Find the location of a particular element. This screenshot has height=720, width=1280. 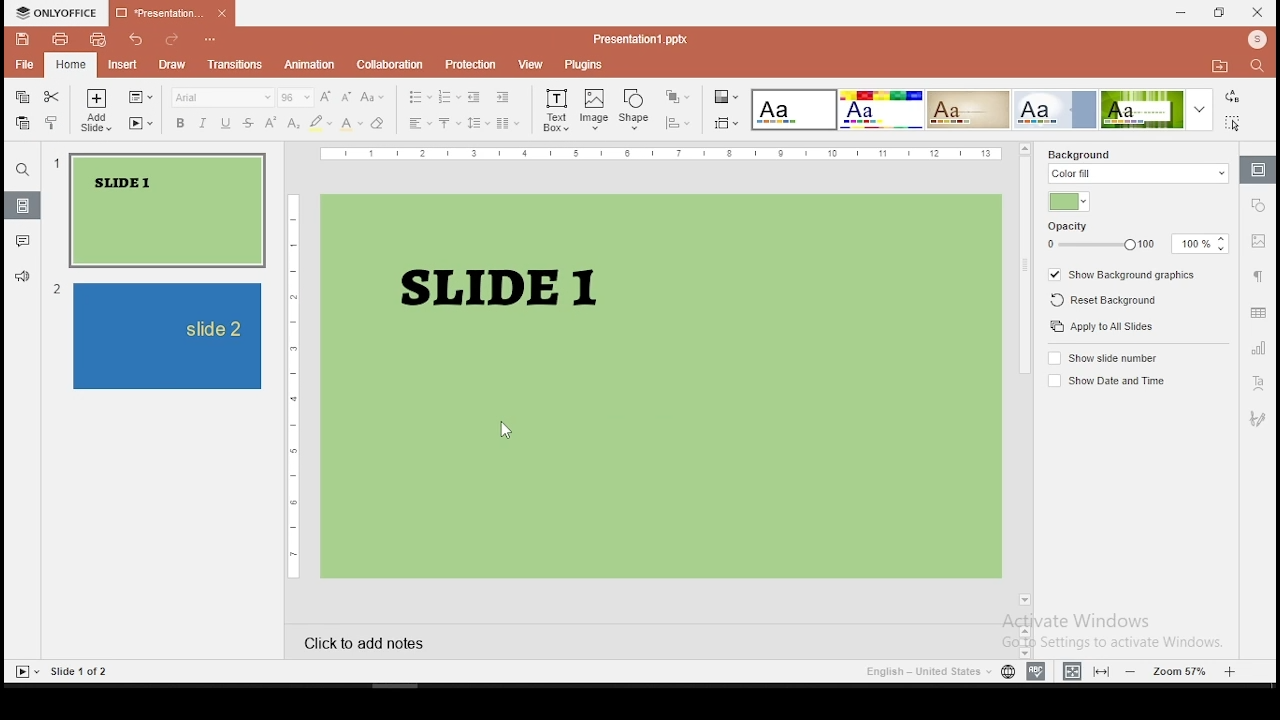

click to add notes is located at coordinates (435, 645).